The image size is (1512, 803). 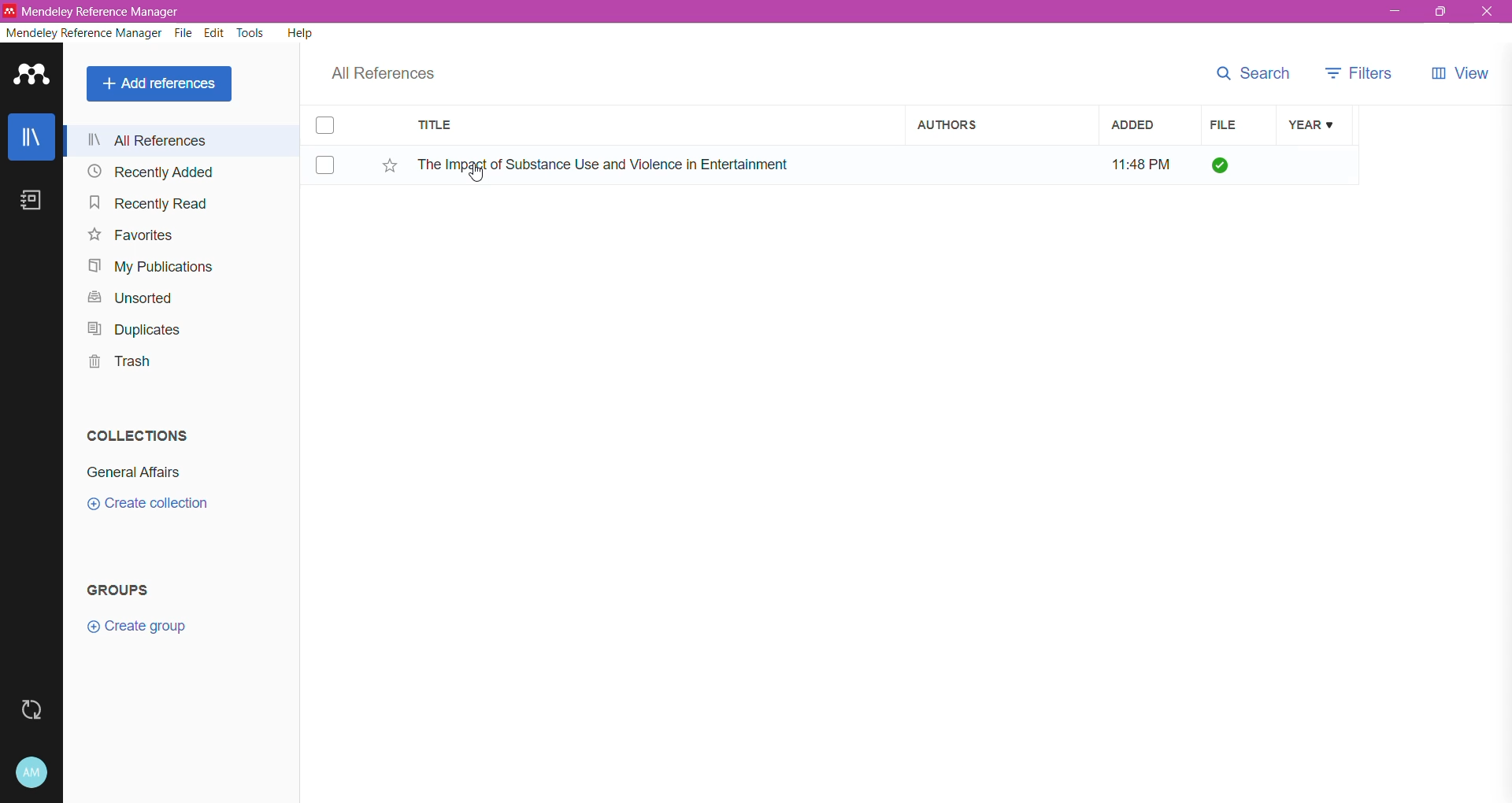 What do you see at coordinates (1363, 73) in the screenshot?
I see `Filters` at bounding box center [1363, 73].